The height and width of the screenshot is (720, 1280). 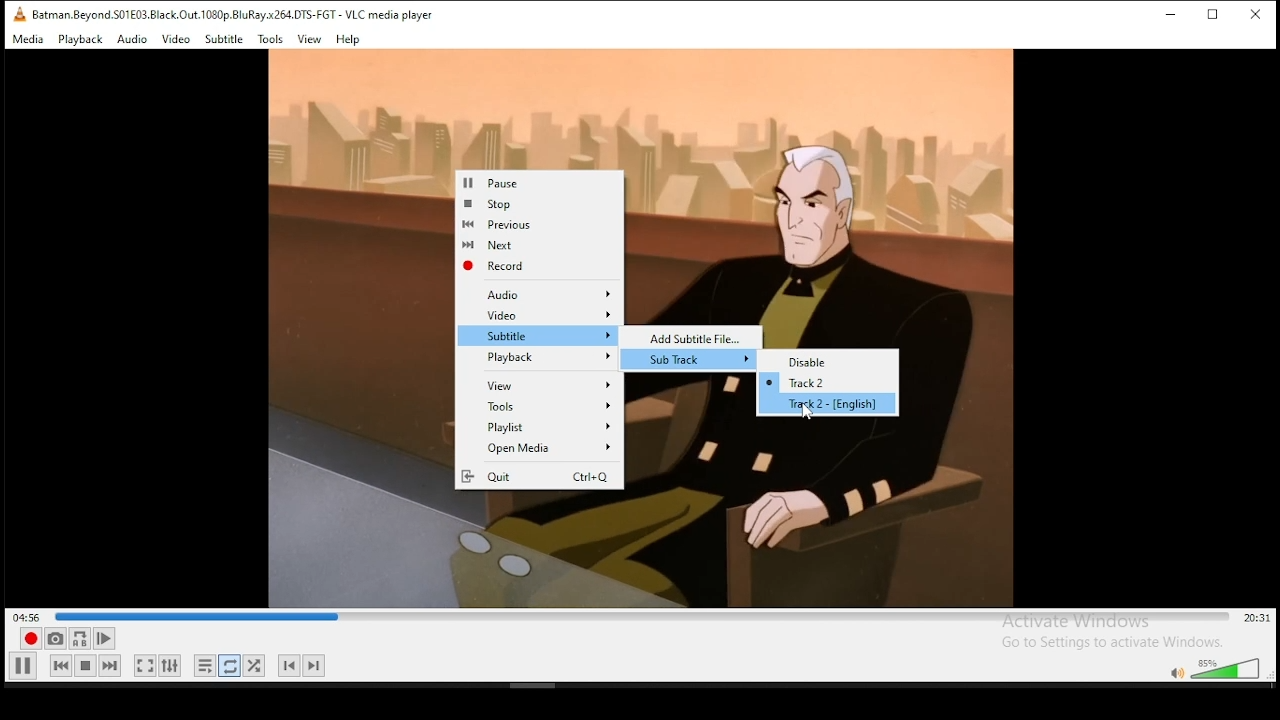 I want to click on Media, so click(x=29, y=40).